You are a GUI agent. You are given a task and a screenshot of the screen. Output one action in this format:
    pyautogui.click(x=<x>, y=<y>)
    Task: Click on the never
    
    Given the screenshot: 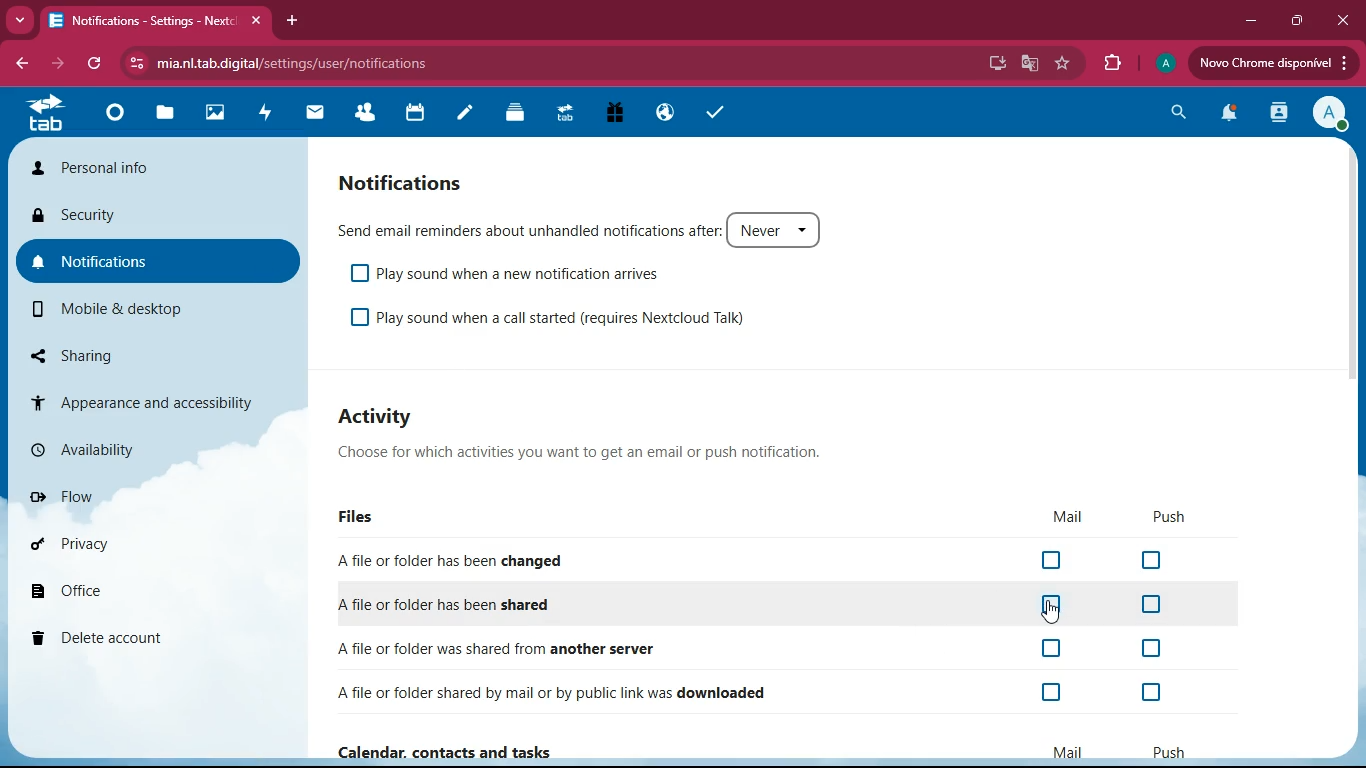 What is the action you would take?
    pyautogui.click(x=771, y=229)
    